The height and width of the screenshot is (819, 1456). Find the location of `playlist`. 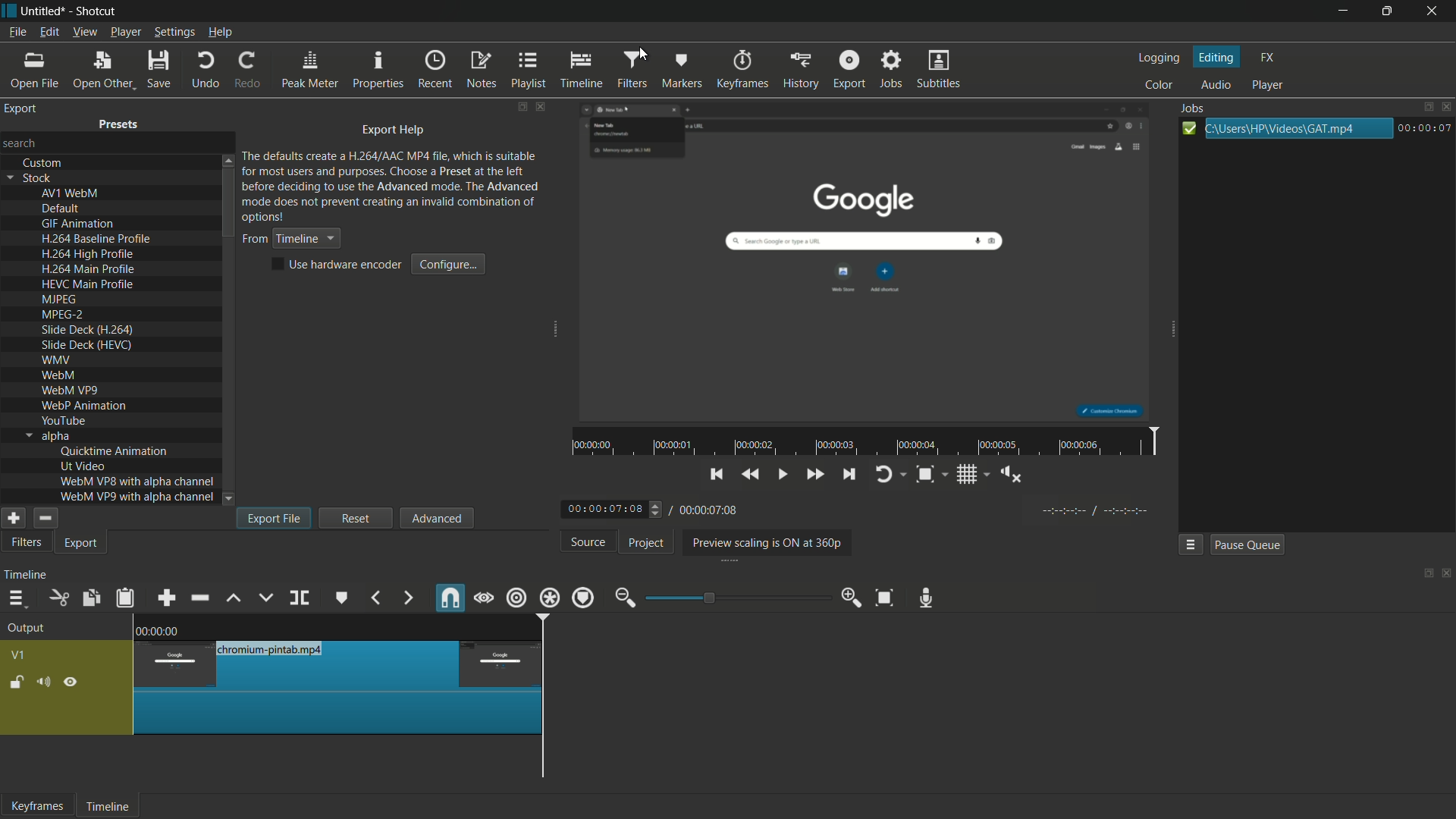

playlist is located at coordinates (529, 69).